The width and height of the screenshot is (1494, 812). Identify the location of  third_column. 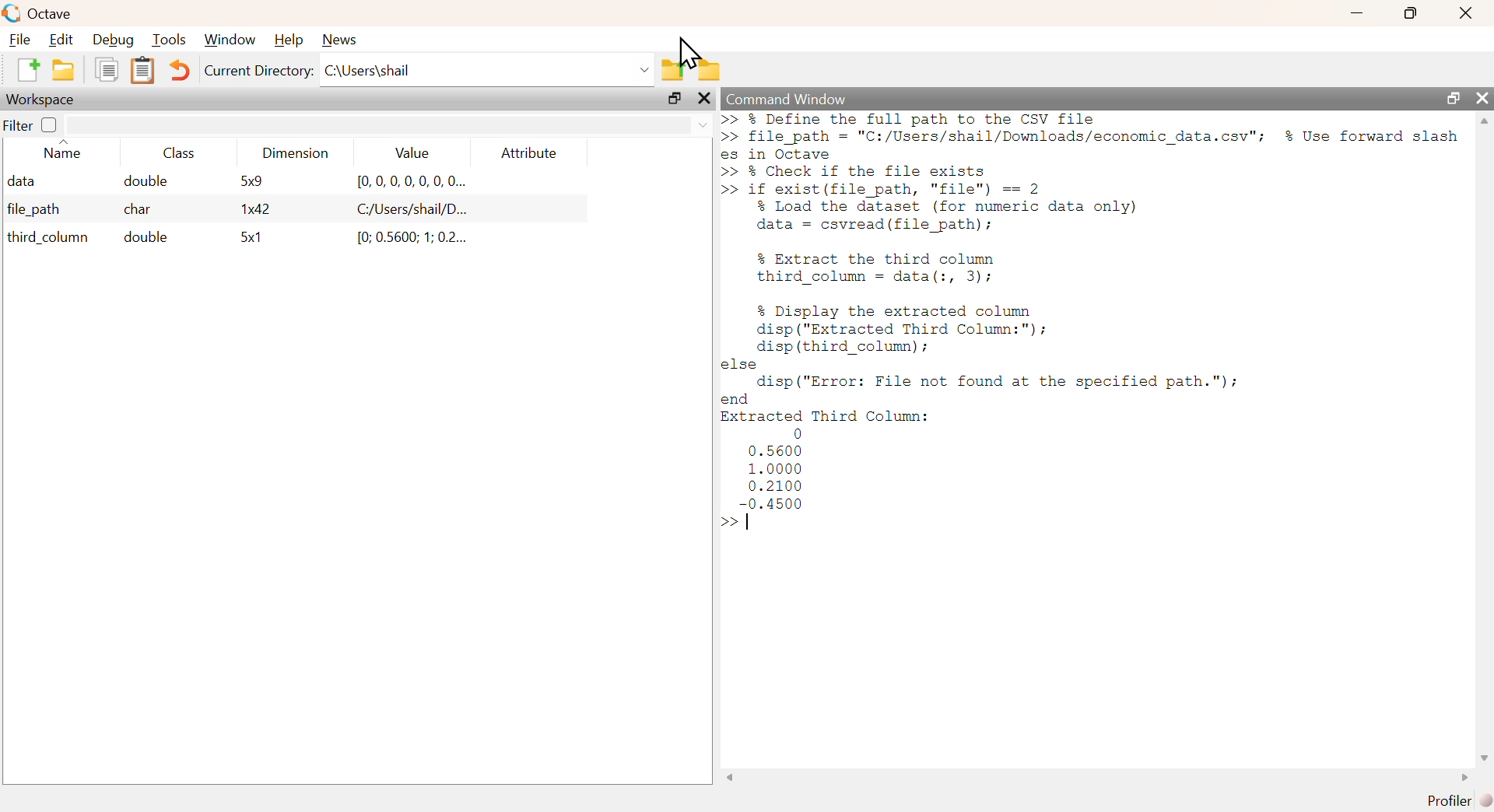
(45, 240).